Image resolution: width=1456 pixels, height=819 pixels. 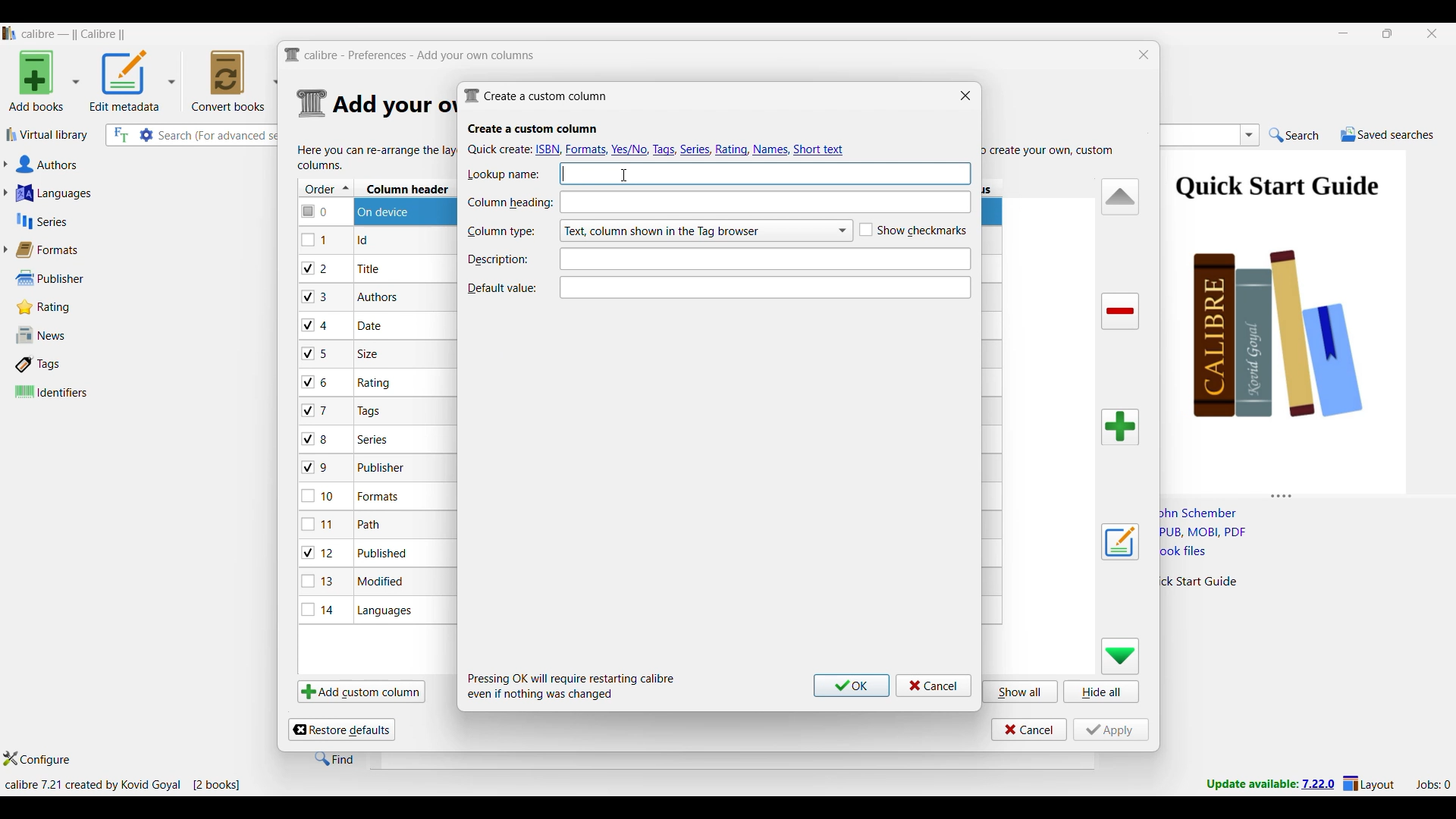 What do you see at coordinates (392, 105) in the screenshot?
I see `Section details` at bounding box center [392, 105].